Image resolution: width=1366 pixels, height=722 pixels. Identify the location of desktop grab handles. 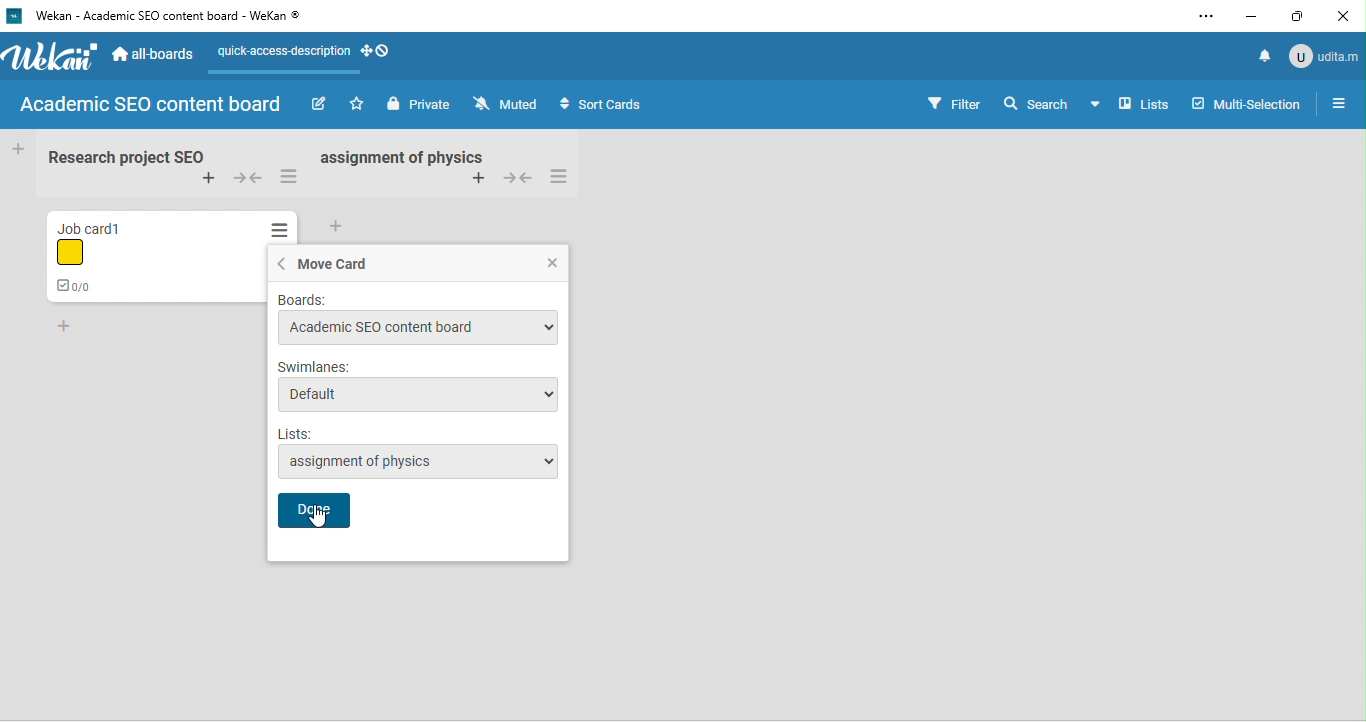
(381, 53).